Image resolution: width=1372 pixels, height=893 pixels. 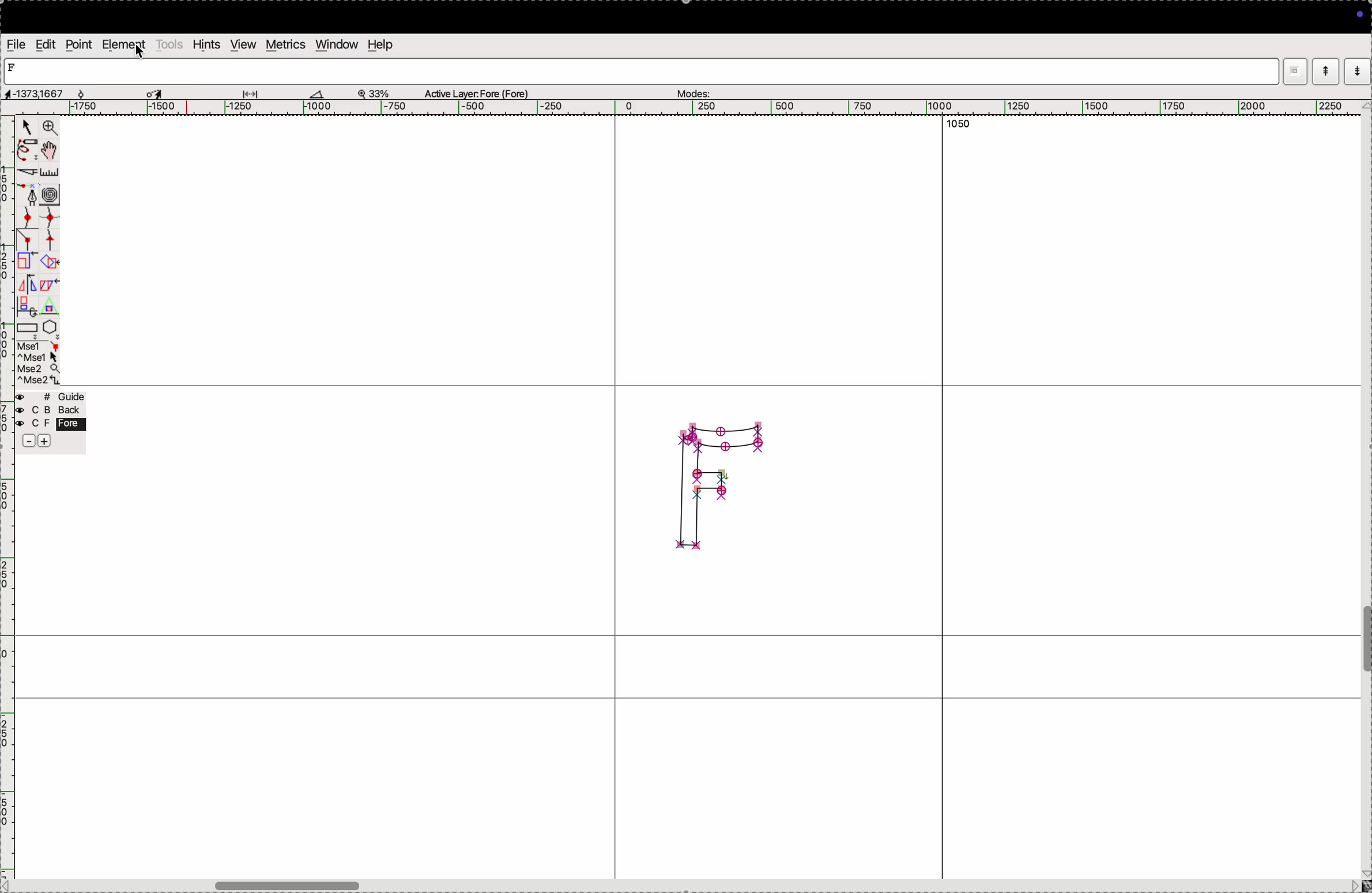 I want to click on mirror, so click(x=37, y=286).